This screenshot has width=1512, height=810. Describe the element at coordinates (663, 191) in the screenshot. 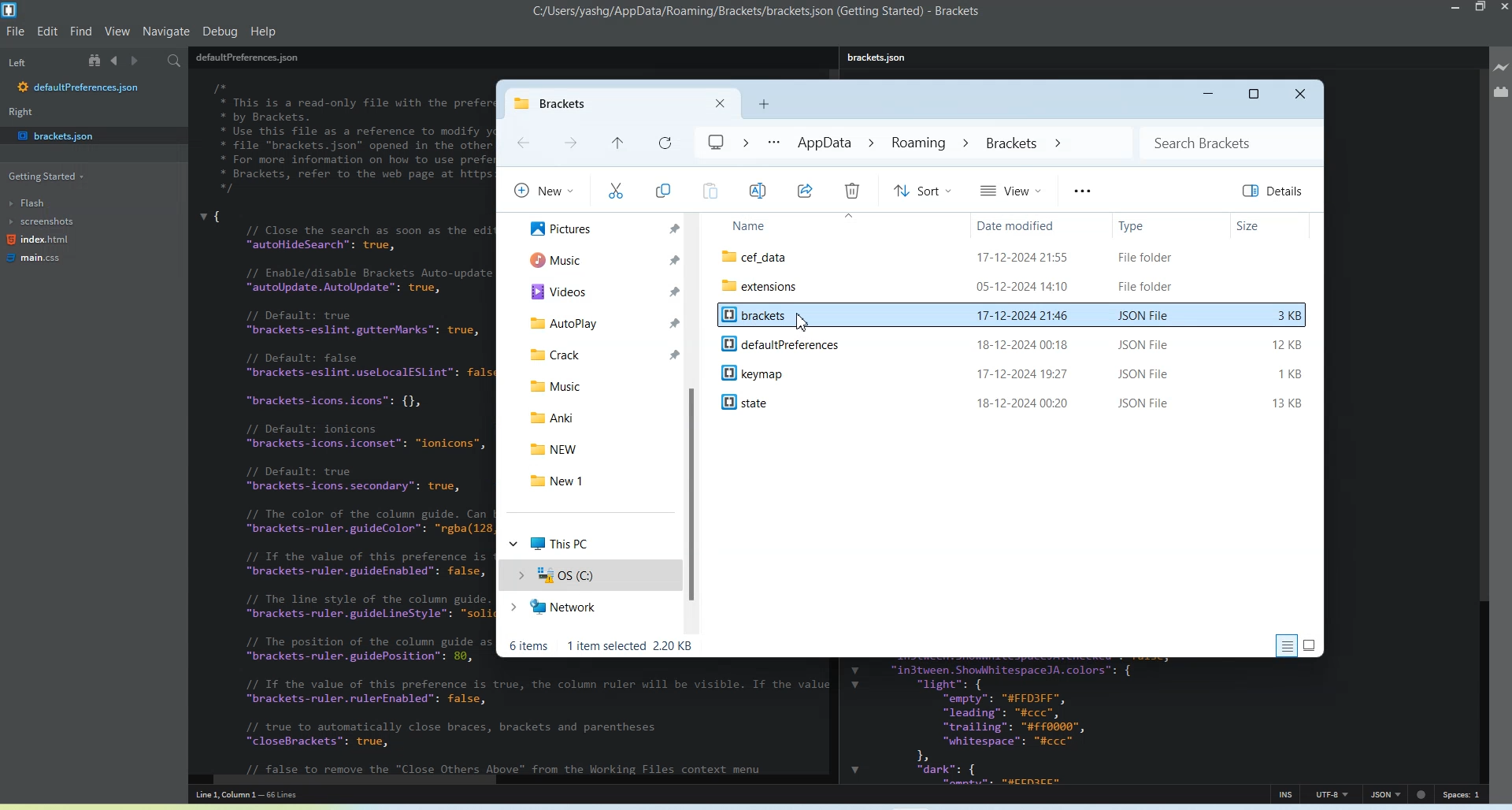

I see `Copy` at that location.